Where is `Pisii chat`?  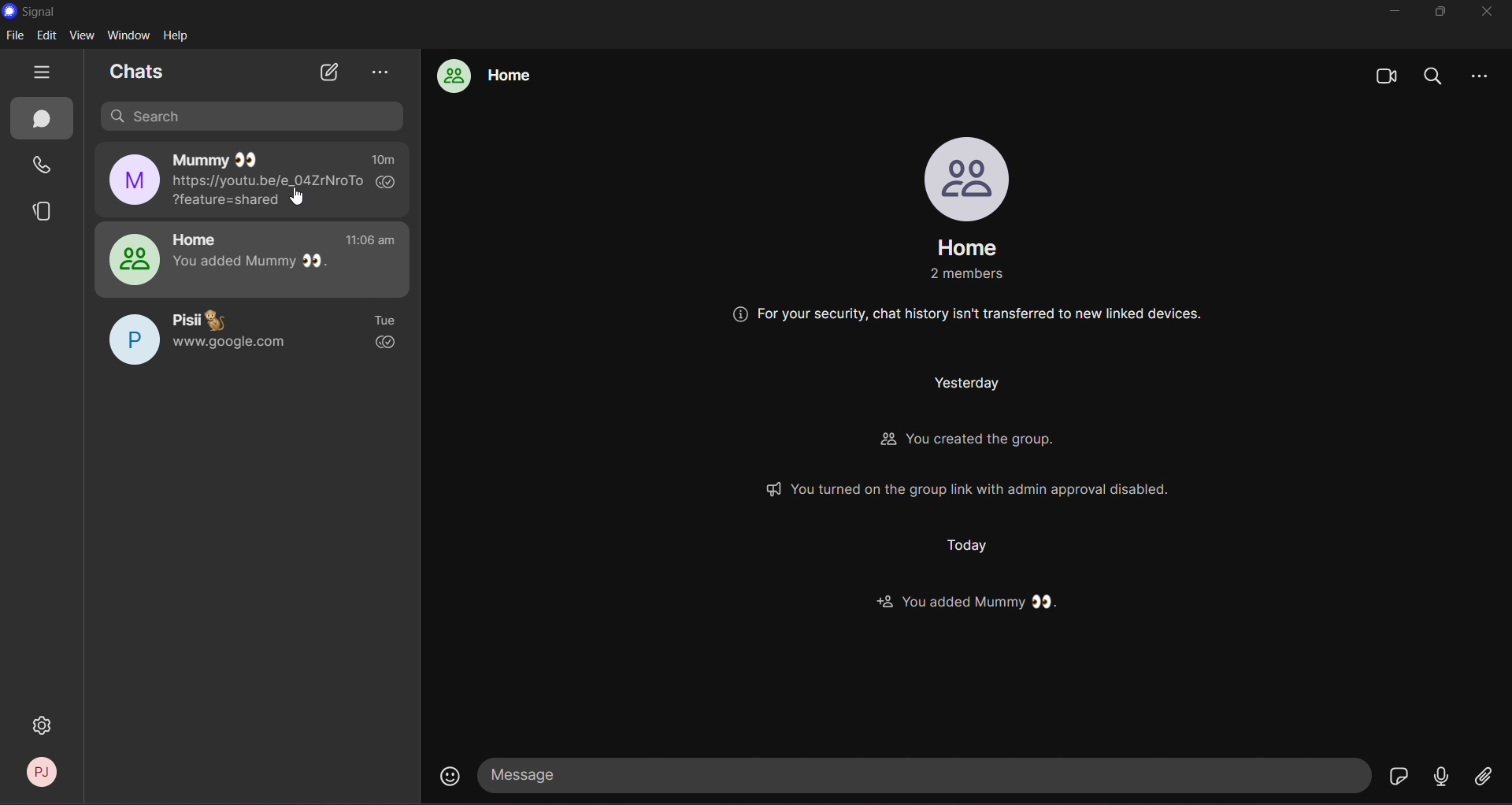
Pisii chat is located at coordinates (250, 338).